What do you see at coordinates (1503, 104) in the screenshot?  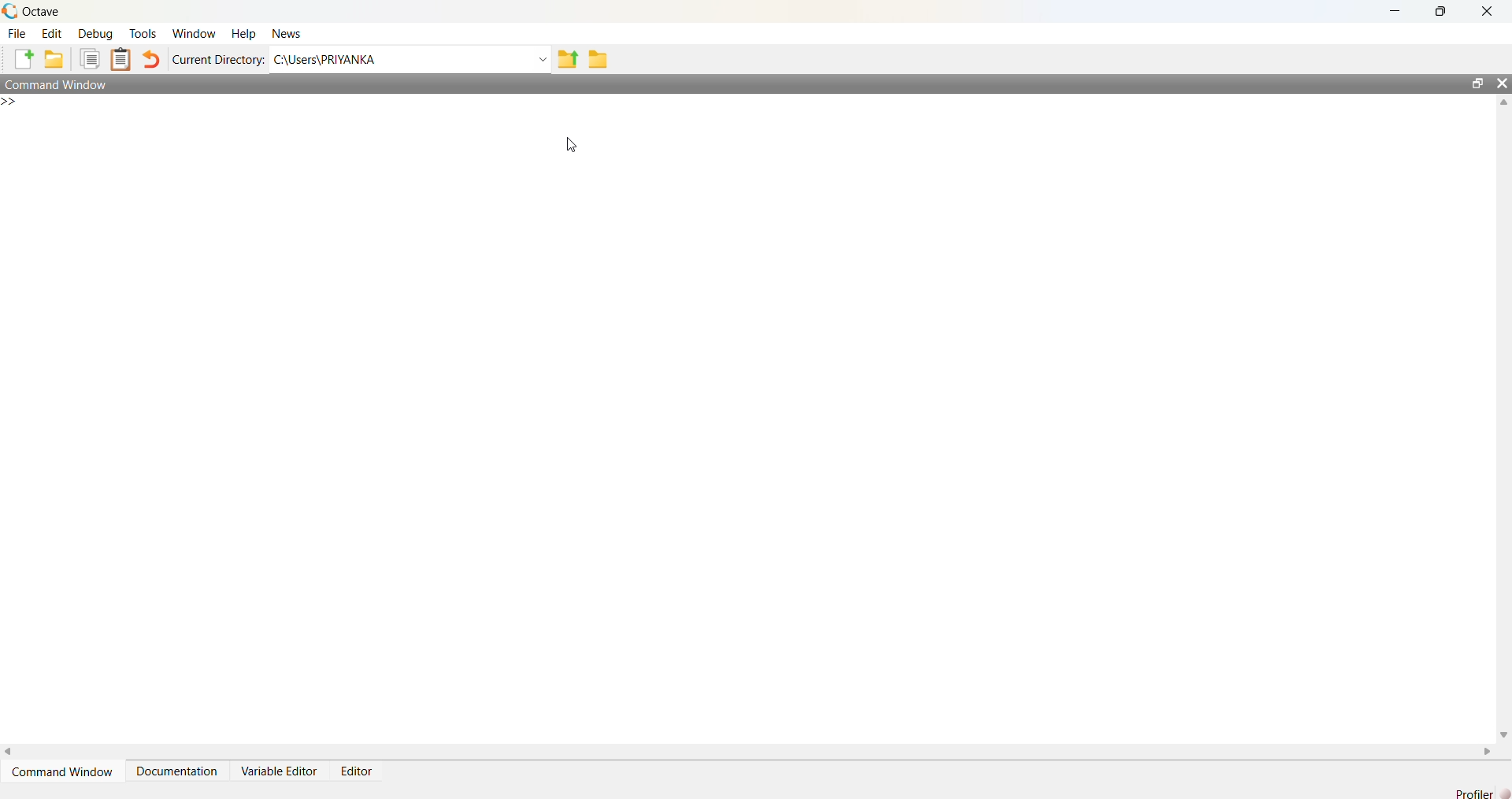 I see `Up` at bounding box center [1503, 104].